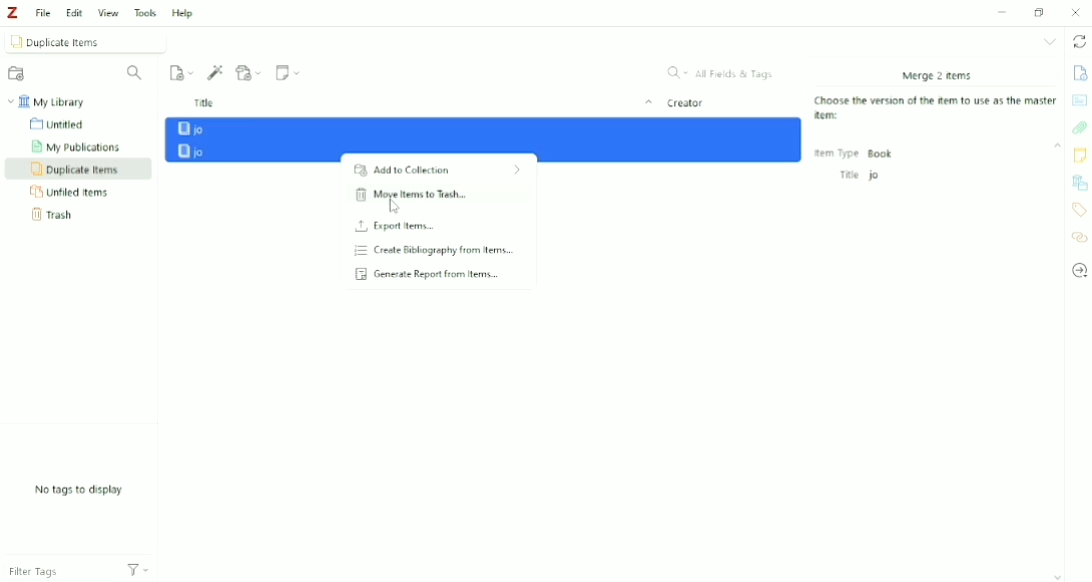 This screenshot has height=582, width=1092. I want to click on Info, so click(1079, 71).